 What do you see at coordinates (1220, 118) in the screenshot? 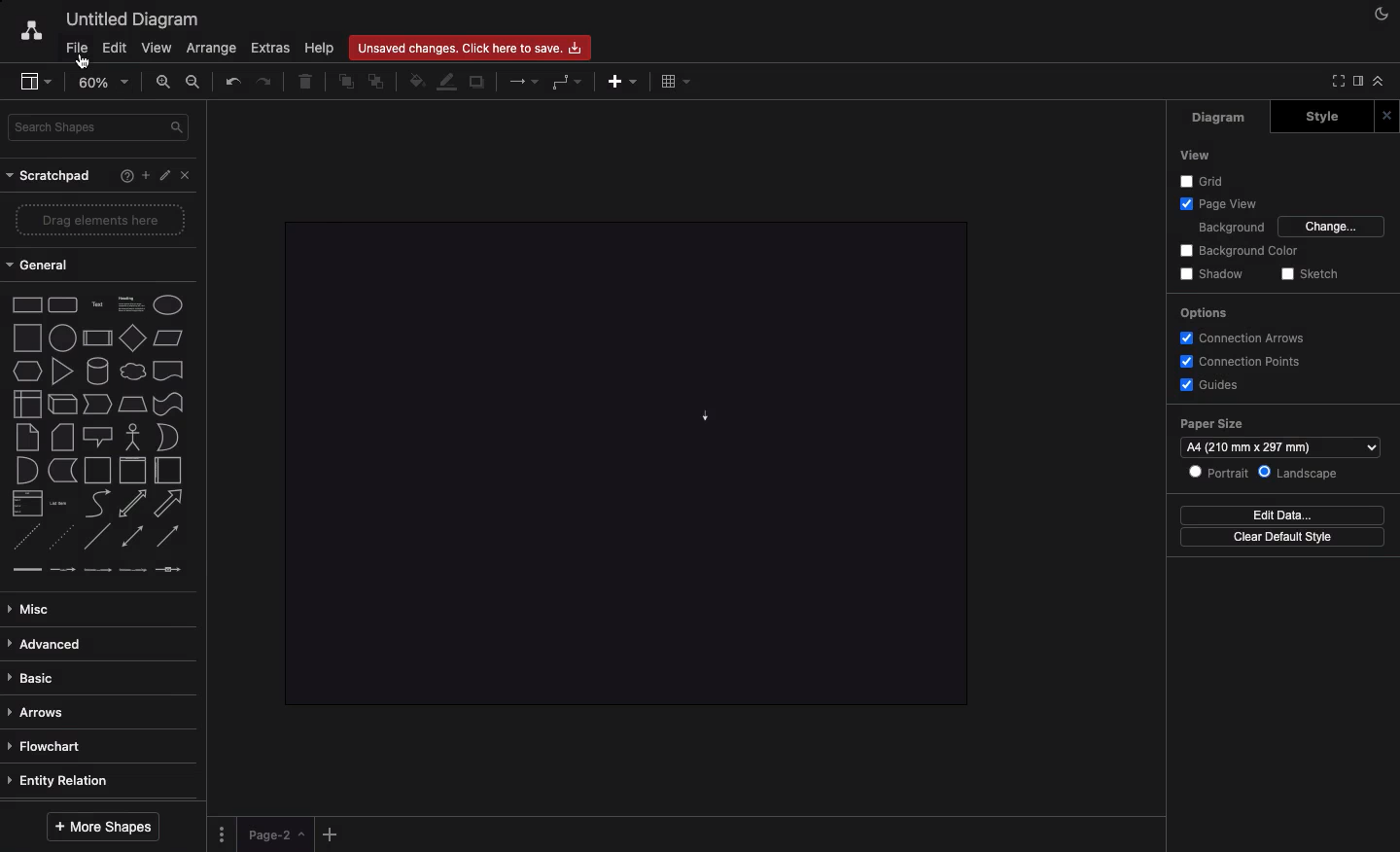
I see `Diagram` at bounding box center [1220, 118].